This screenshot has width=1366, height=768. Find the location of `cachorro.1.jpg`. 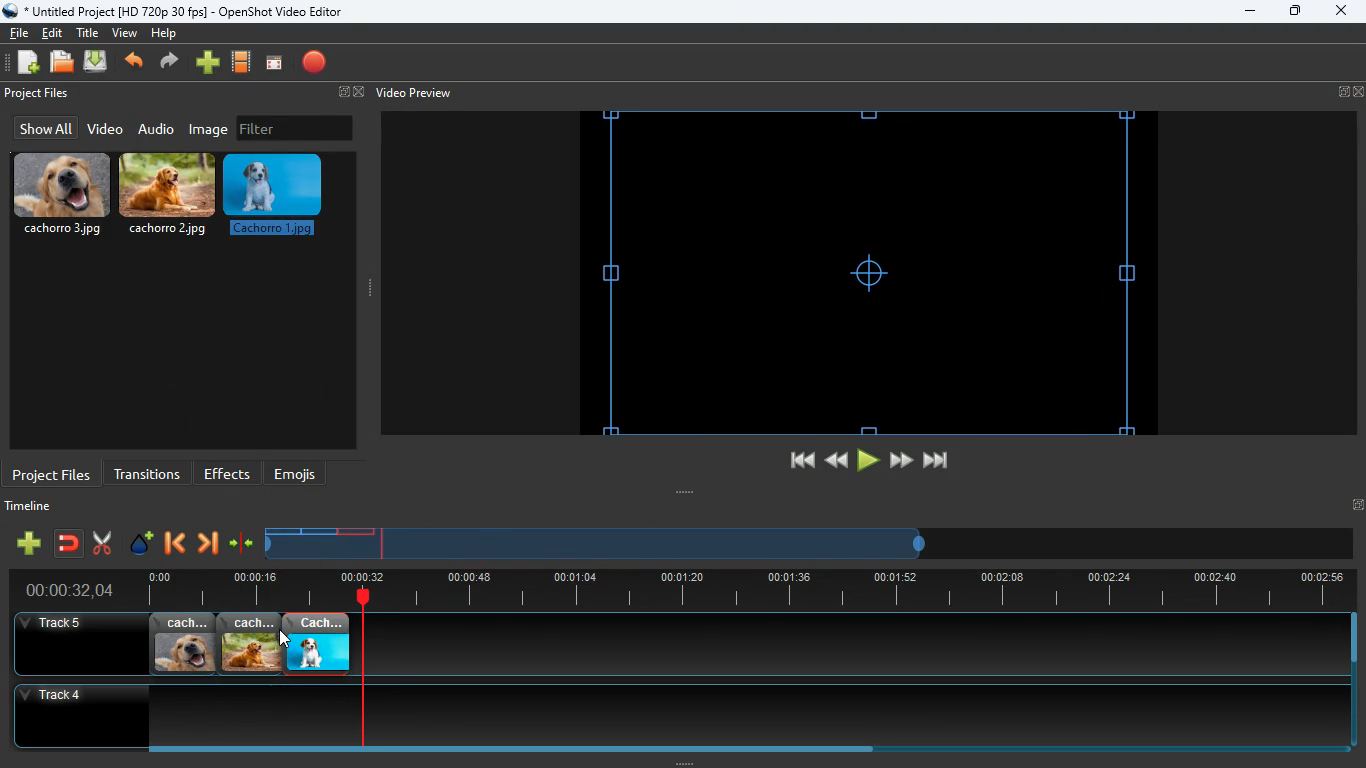

cachorro.1.jpg is located at coordinates (317, 644).